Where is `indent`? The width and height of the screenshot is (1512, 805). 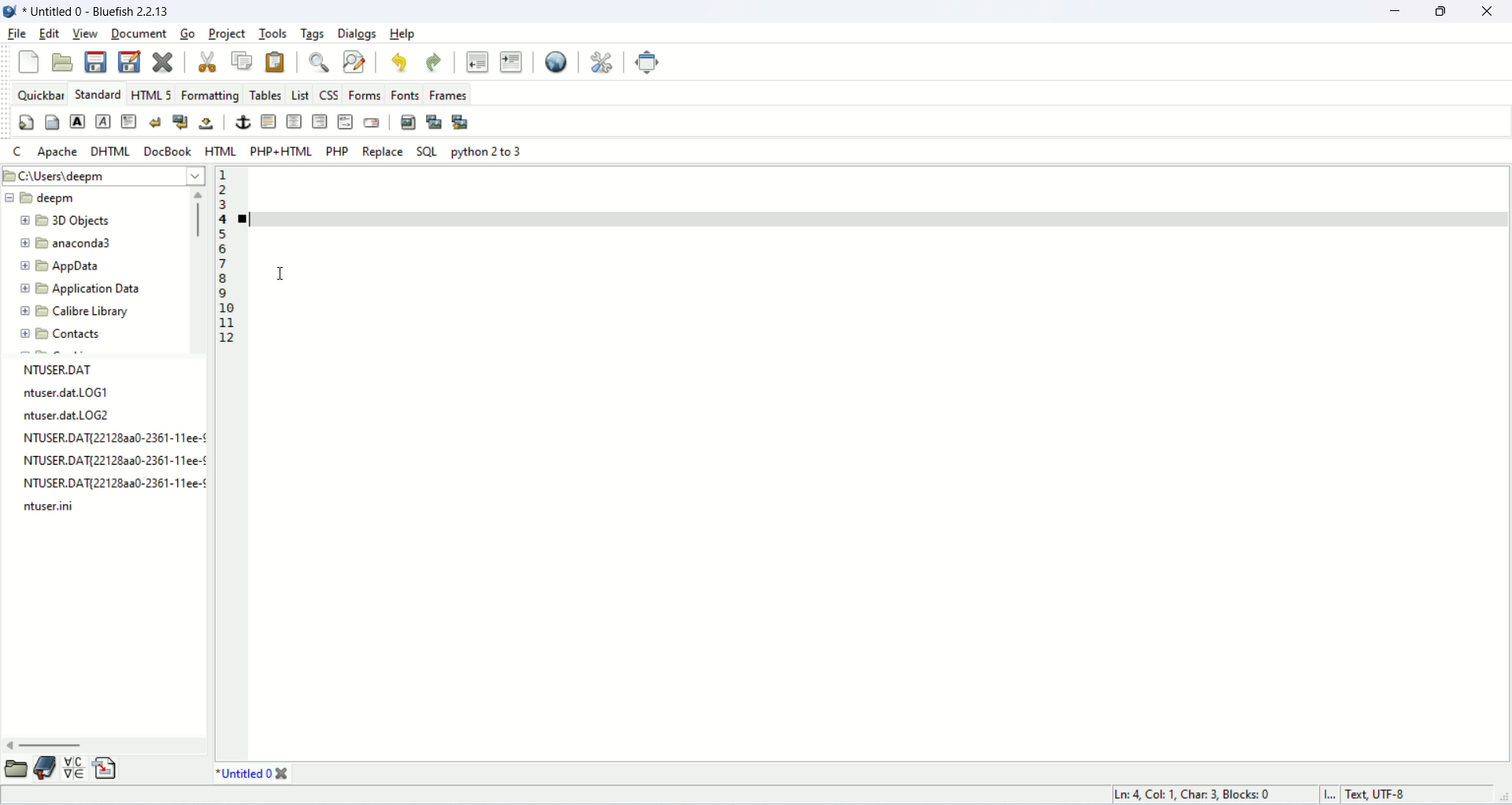 indent is located at coordinates (512, 63).